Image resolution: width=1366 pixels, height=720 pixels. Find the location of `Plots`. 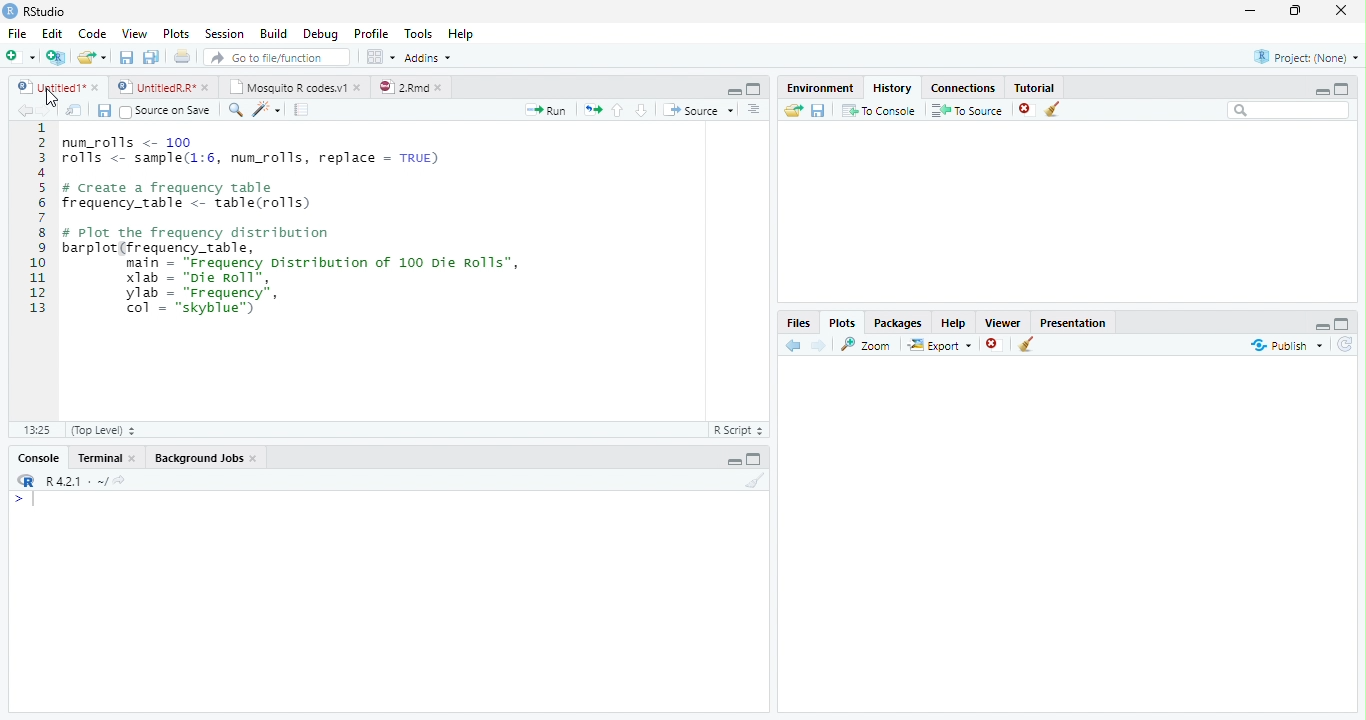

Plots is located at coordinates (843, 321).